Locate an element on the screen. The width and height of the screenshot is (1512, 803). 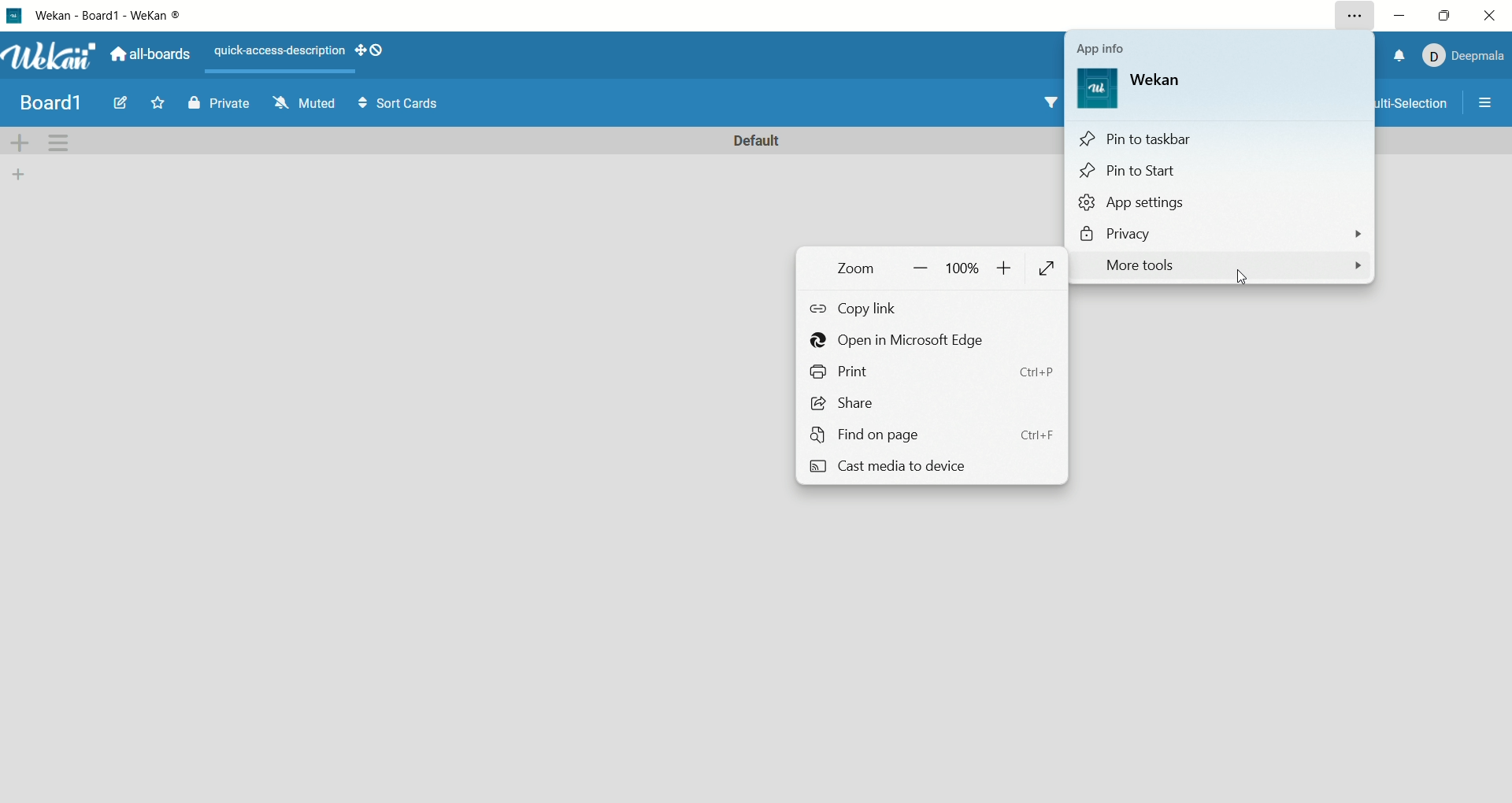
all boards is located at coordinates (147, 57).